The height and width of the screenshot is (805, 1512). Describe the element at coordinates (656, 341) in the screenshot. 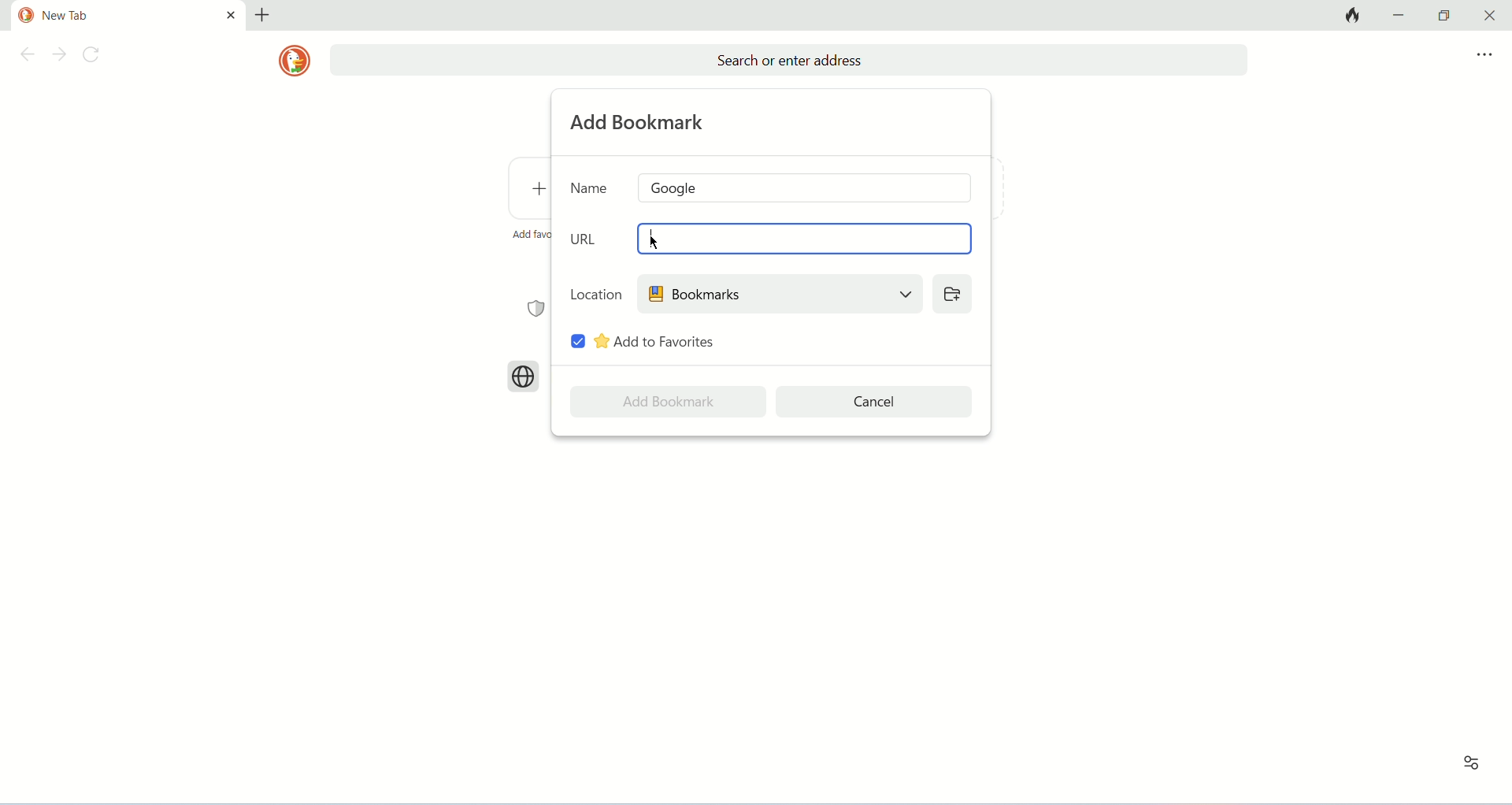

I see `add to favorites` at that location.